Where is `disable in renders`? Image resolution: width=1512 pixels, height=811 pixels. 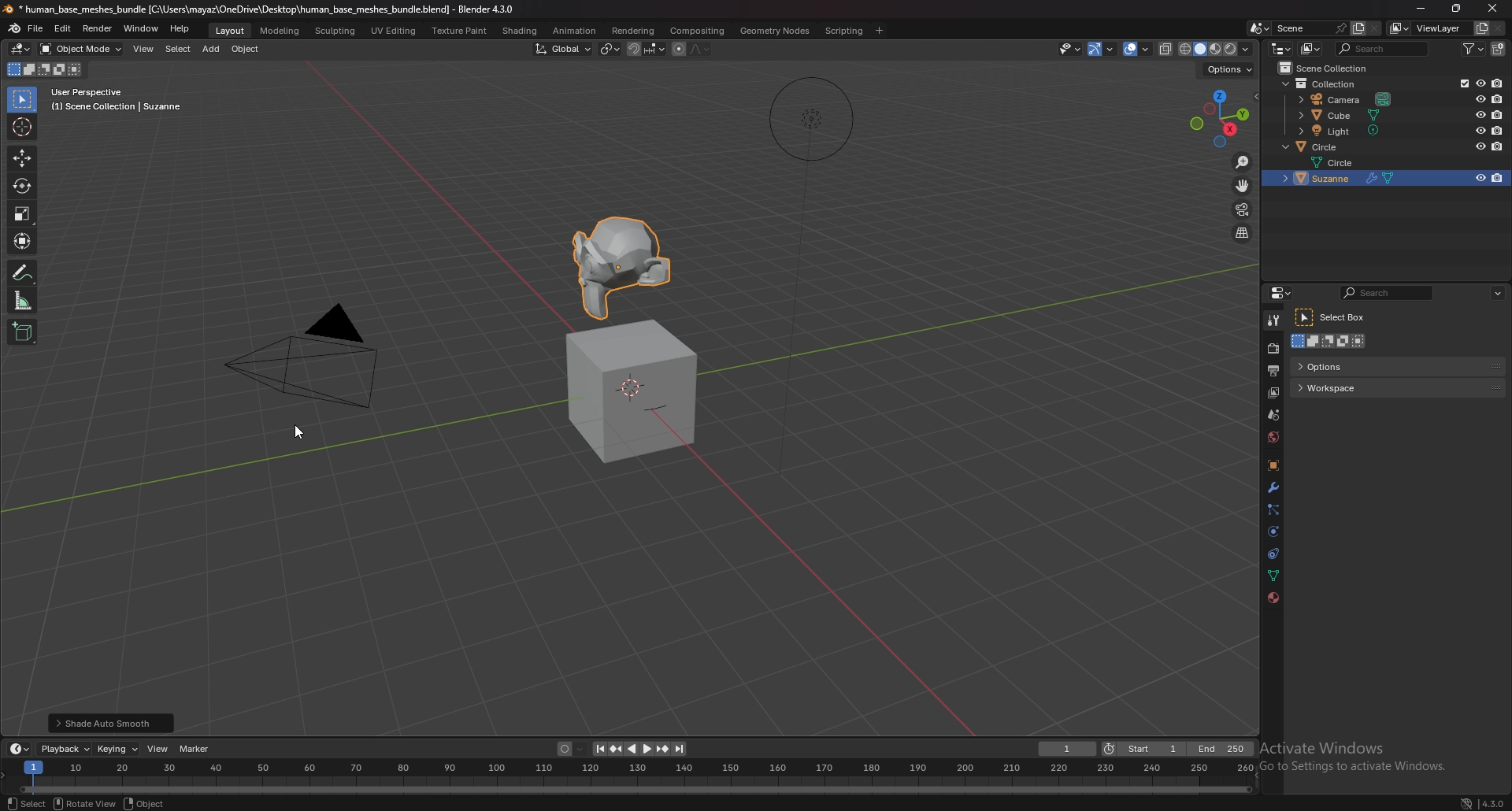 disable in renders is located at coordinates (1497, 83).